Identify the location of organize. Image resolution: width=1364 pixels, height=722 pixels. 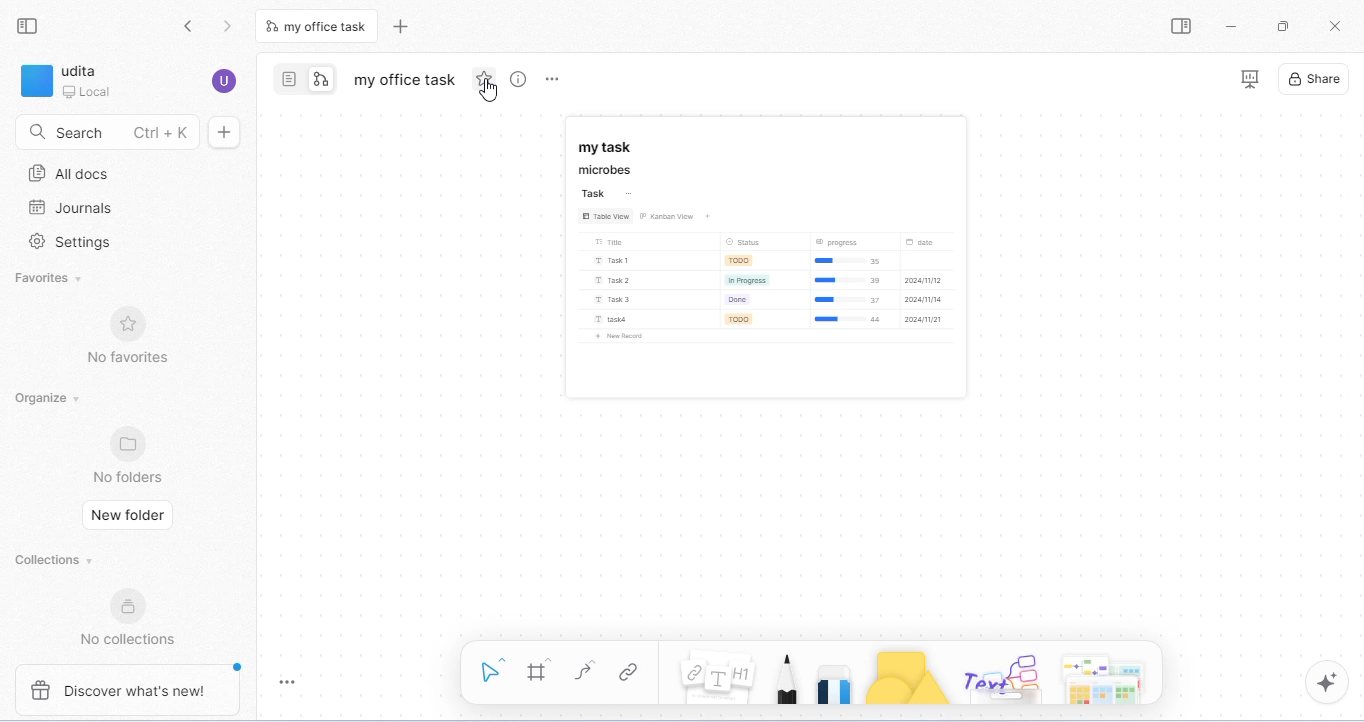
(51, 397).